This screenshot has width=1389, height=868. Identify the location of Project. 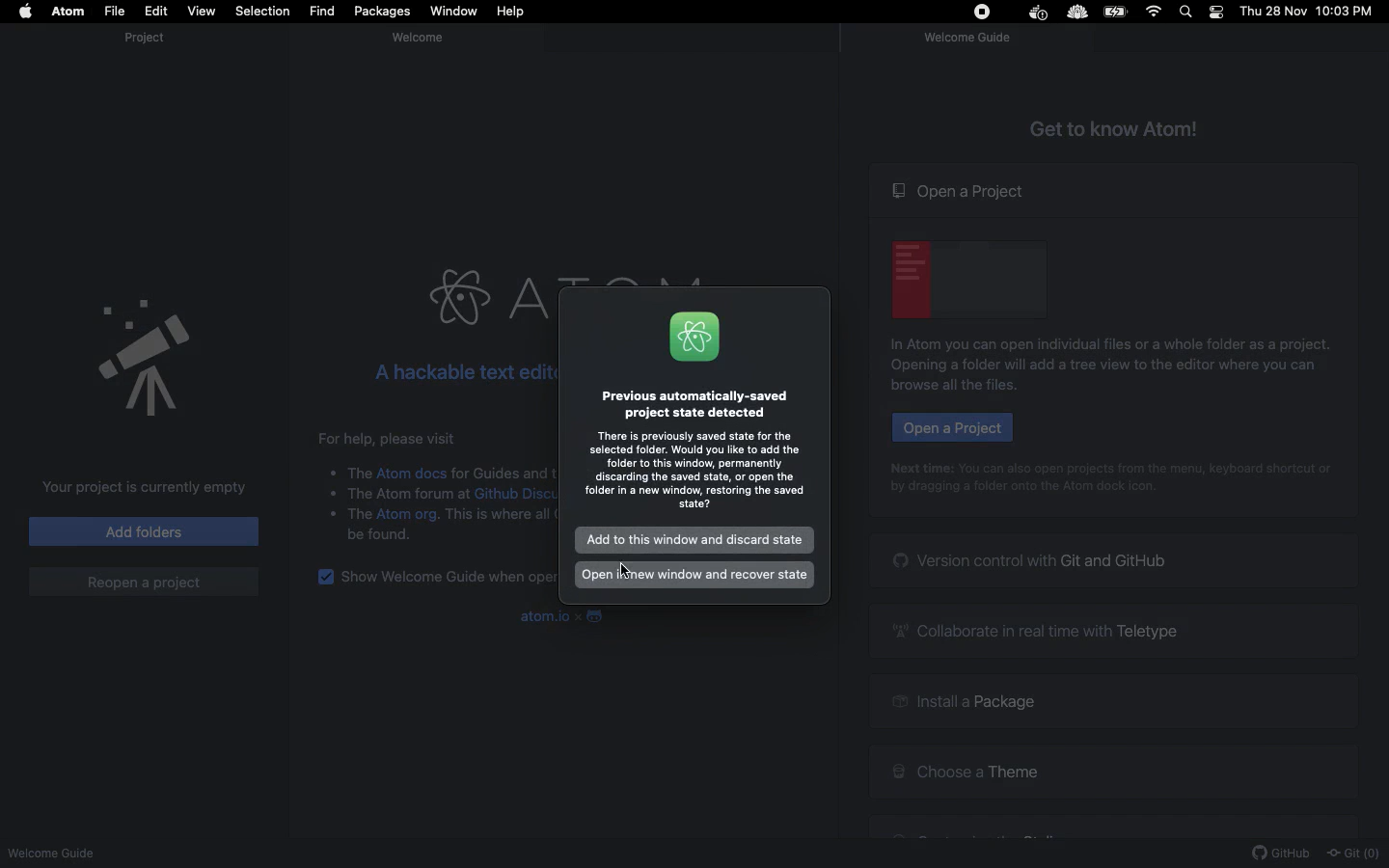
(140, 39).